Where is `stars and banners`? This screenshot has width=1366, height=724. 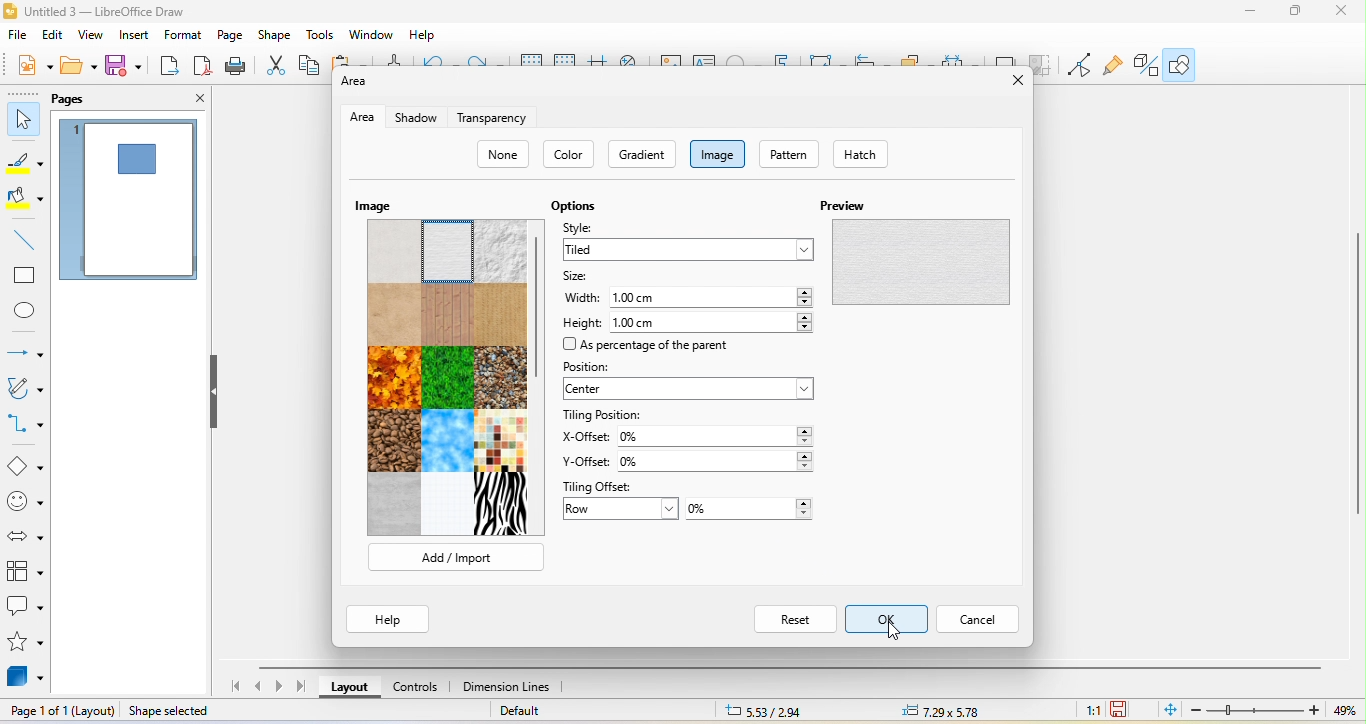
stars and banners is located at coordinates (25, 643).